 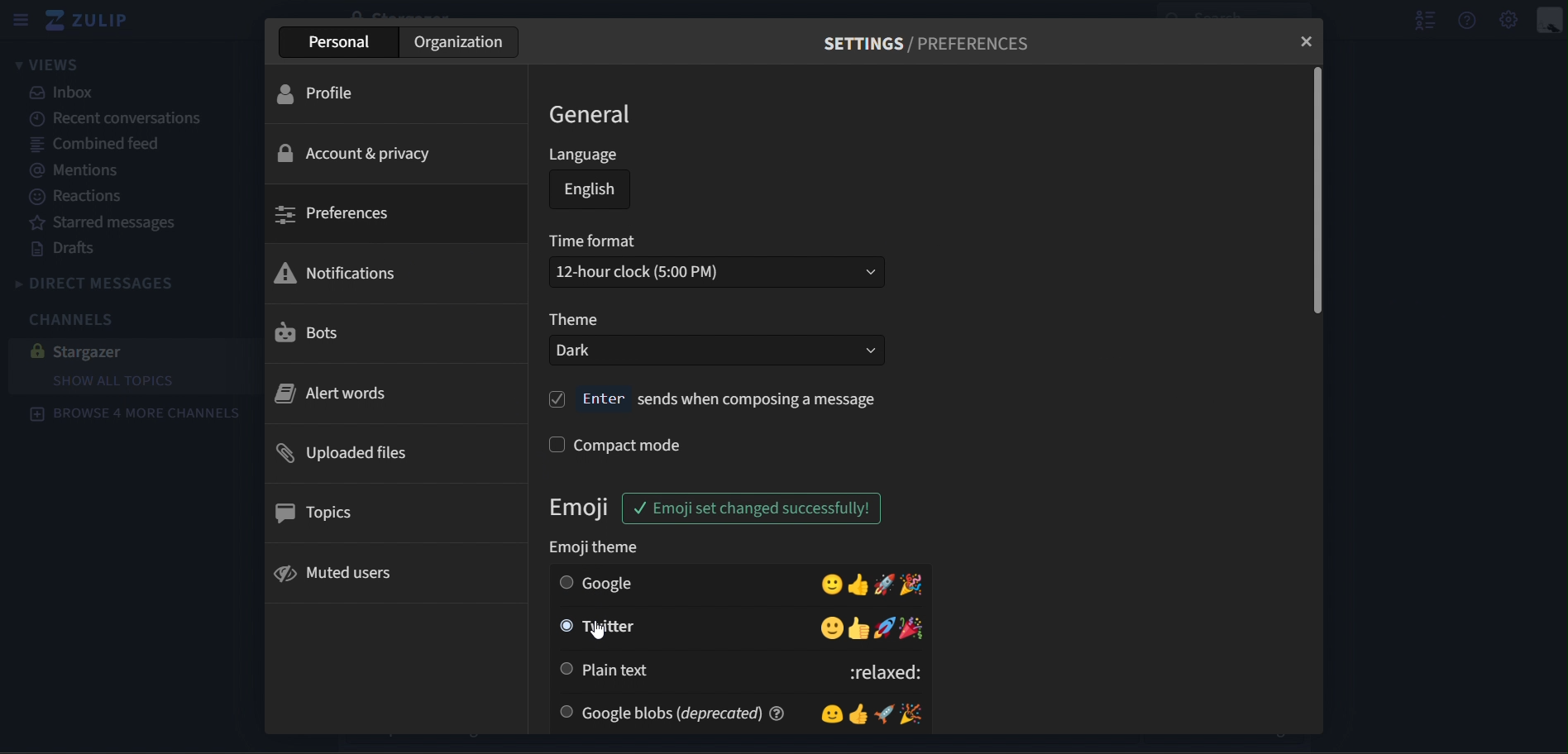 What do you see at coordinates (79, 199) in the screenshot?
I see `reactions` at bounding box center [79, 199].